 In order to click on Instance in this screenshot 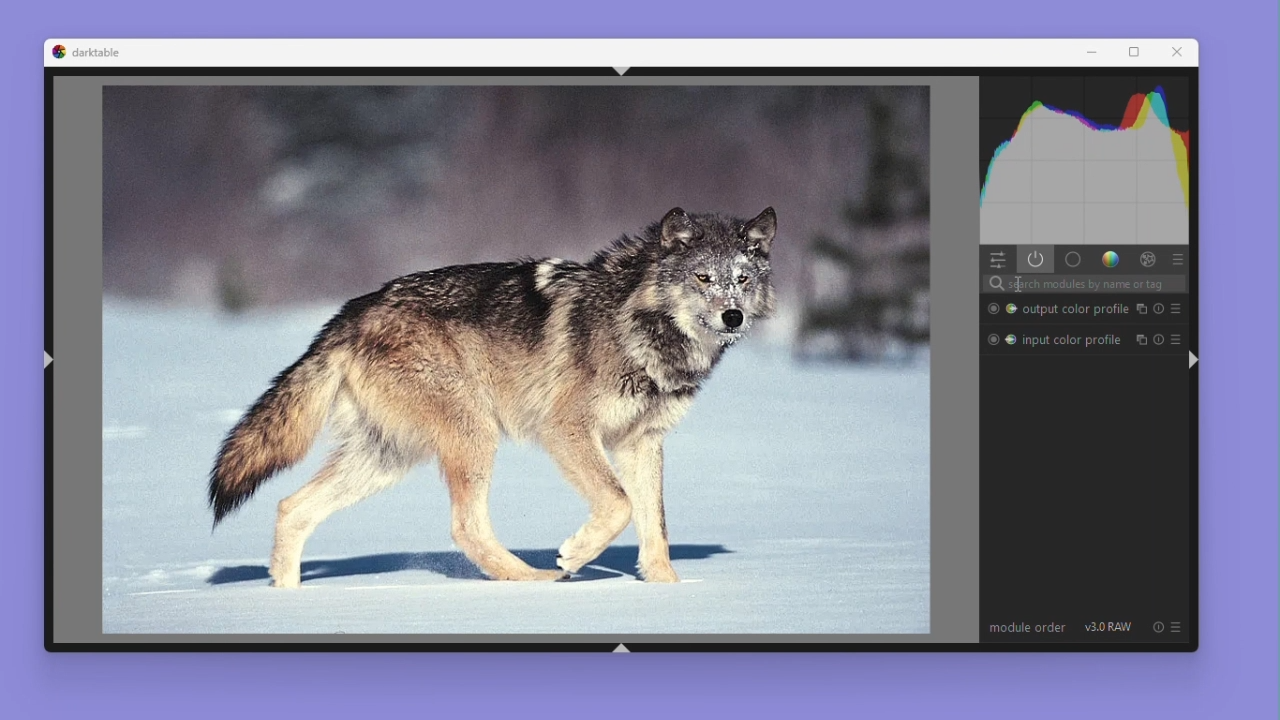, I will do `click(1140, 309)`.